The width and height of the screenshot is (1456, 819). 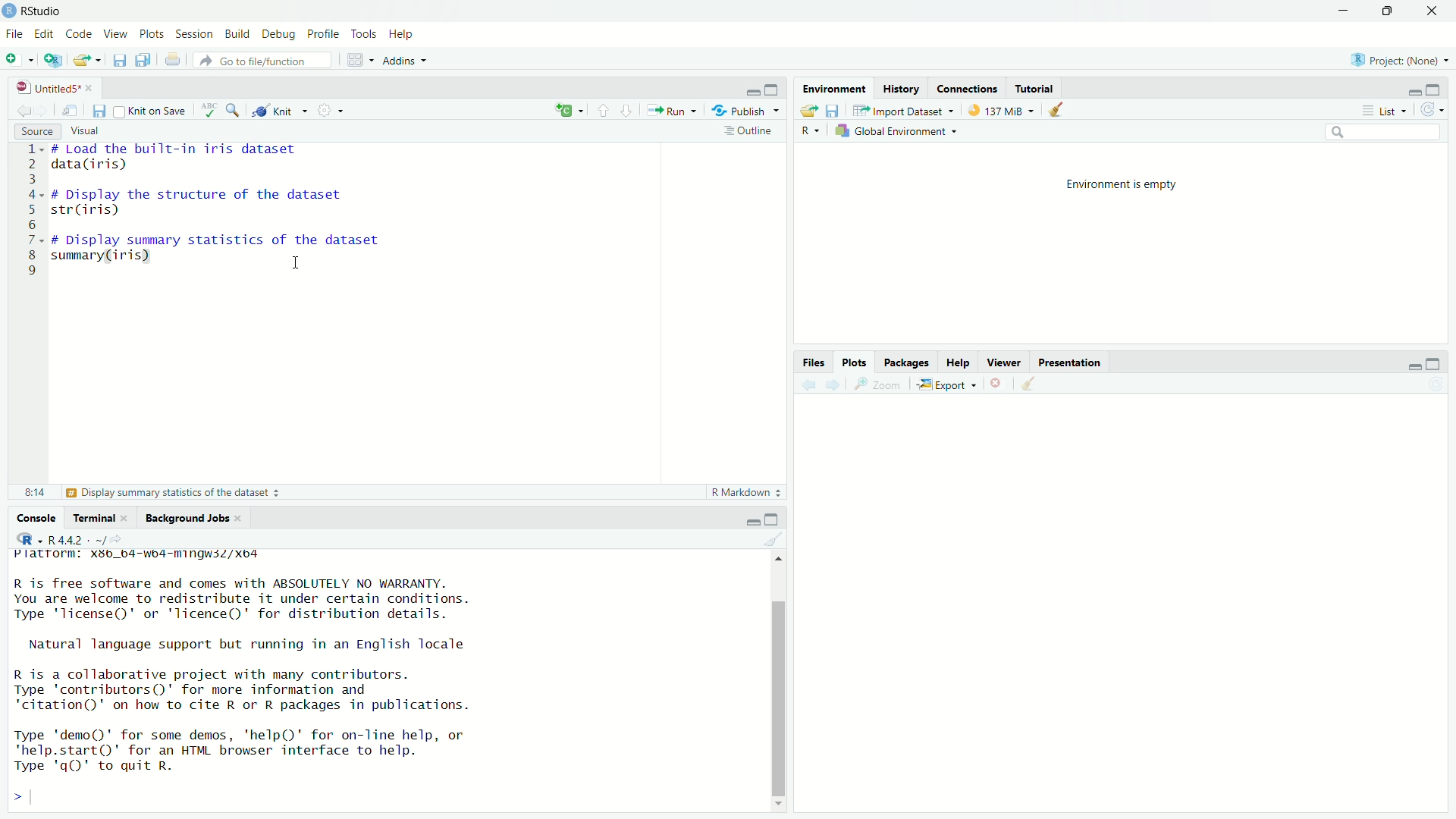 I want to click on Go to previous section, so click(x=604, y=110).